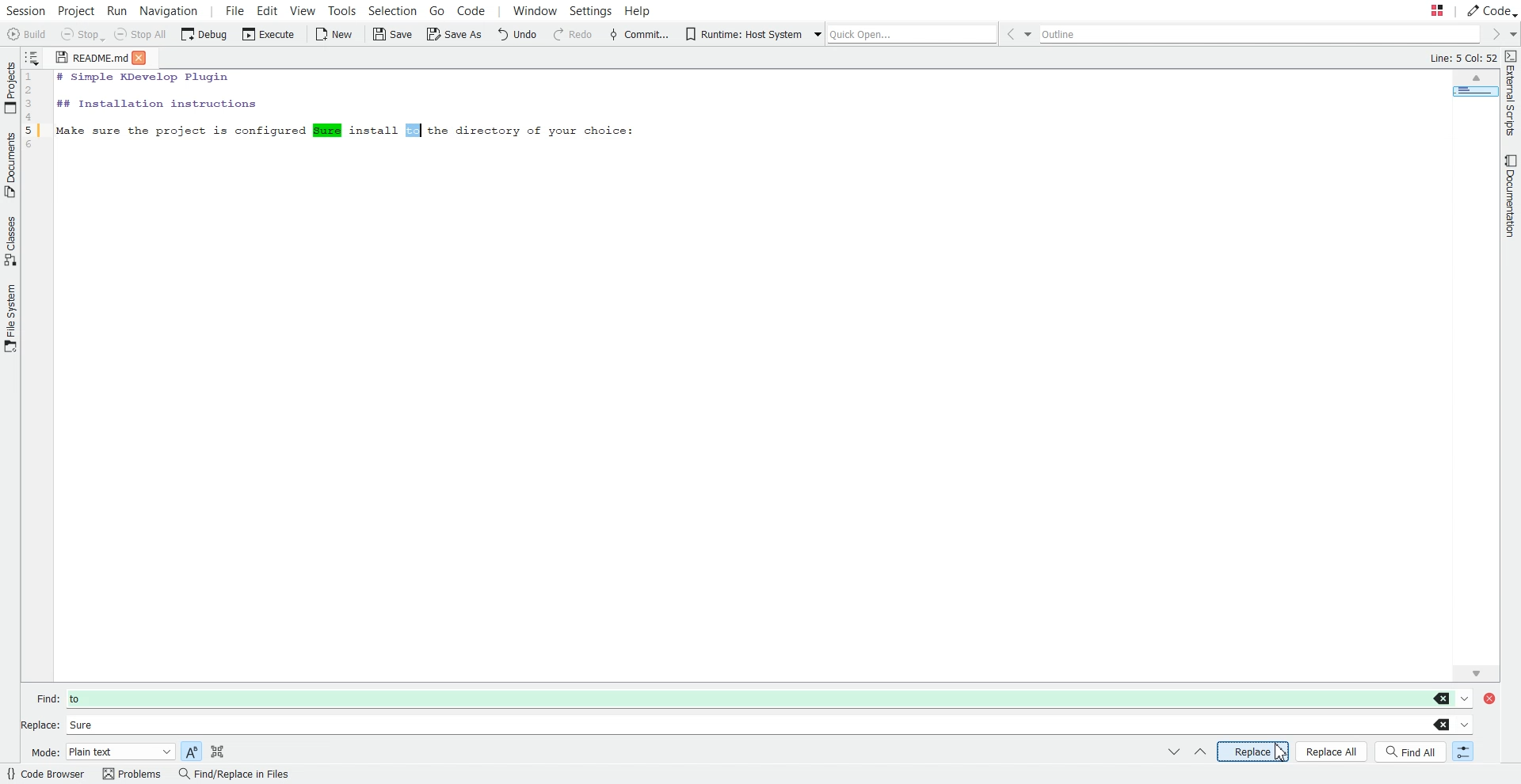 The width and height of the screenshot is (1521, 784). I want to click on Close, so click(145, 57).